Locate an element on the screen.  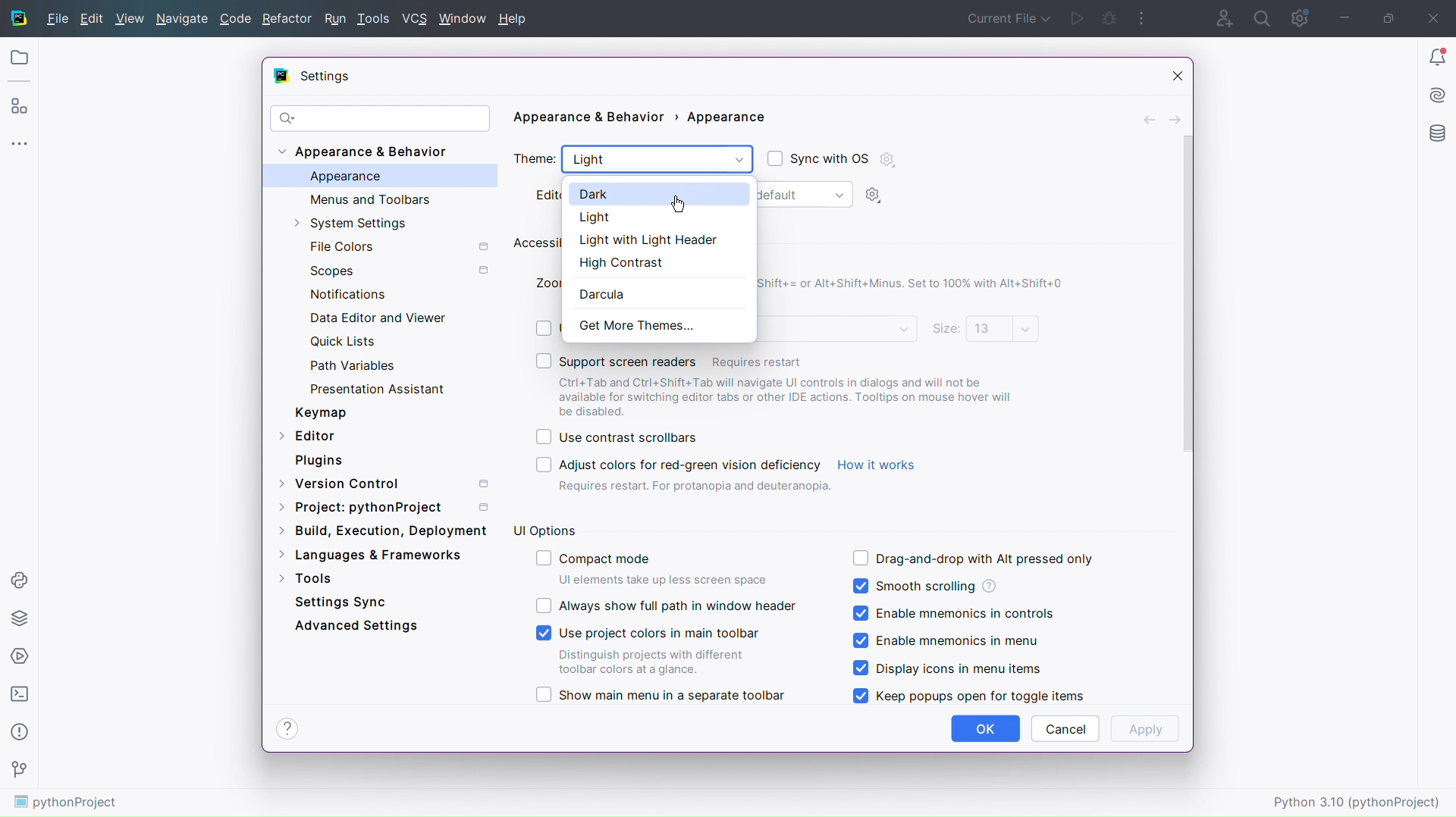
Version Control is located at coordinates (391, 481).